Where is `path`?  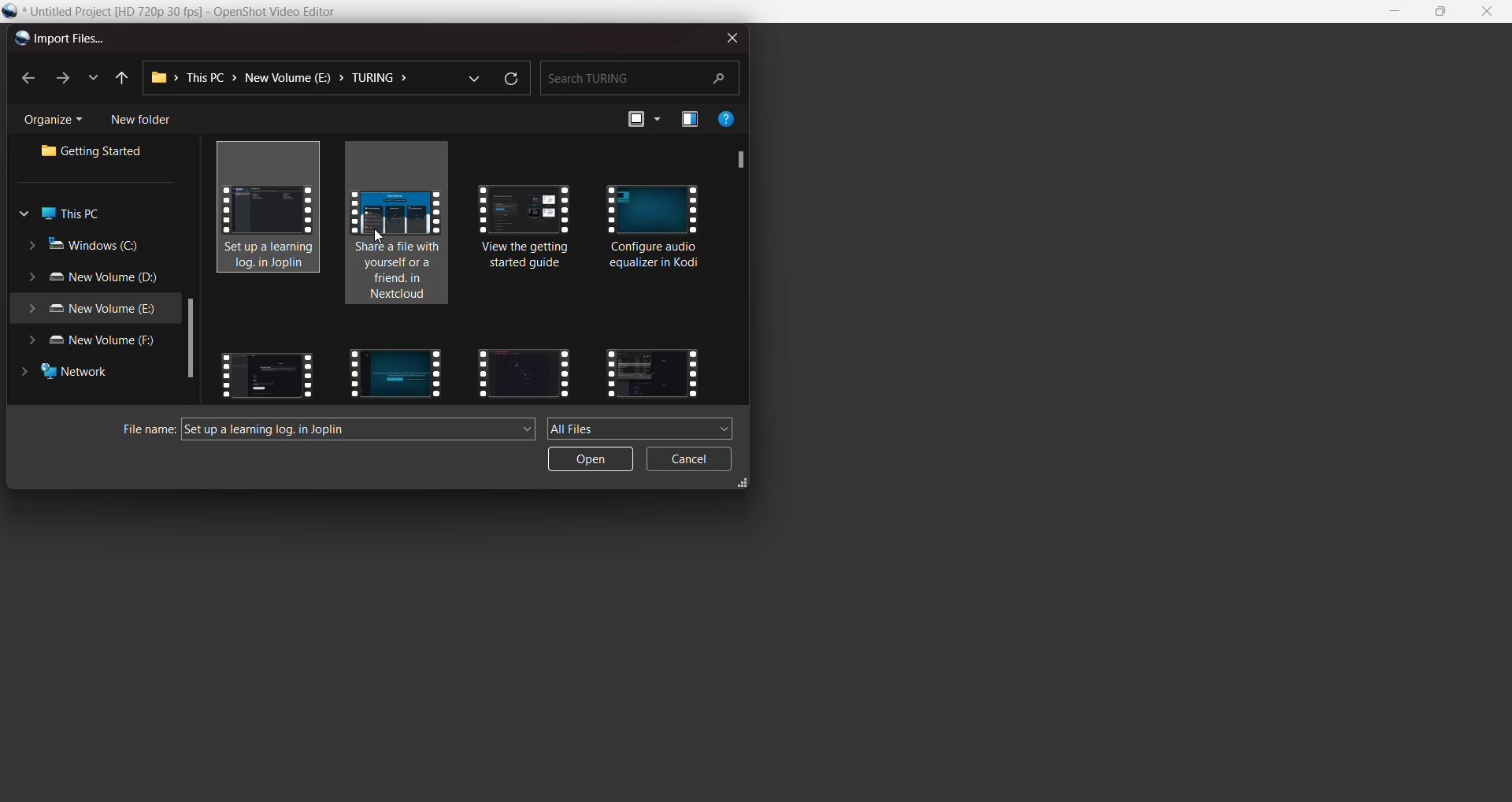 path is located at coordinates (285, 78).